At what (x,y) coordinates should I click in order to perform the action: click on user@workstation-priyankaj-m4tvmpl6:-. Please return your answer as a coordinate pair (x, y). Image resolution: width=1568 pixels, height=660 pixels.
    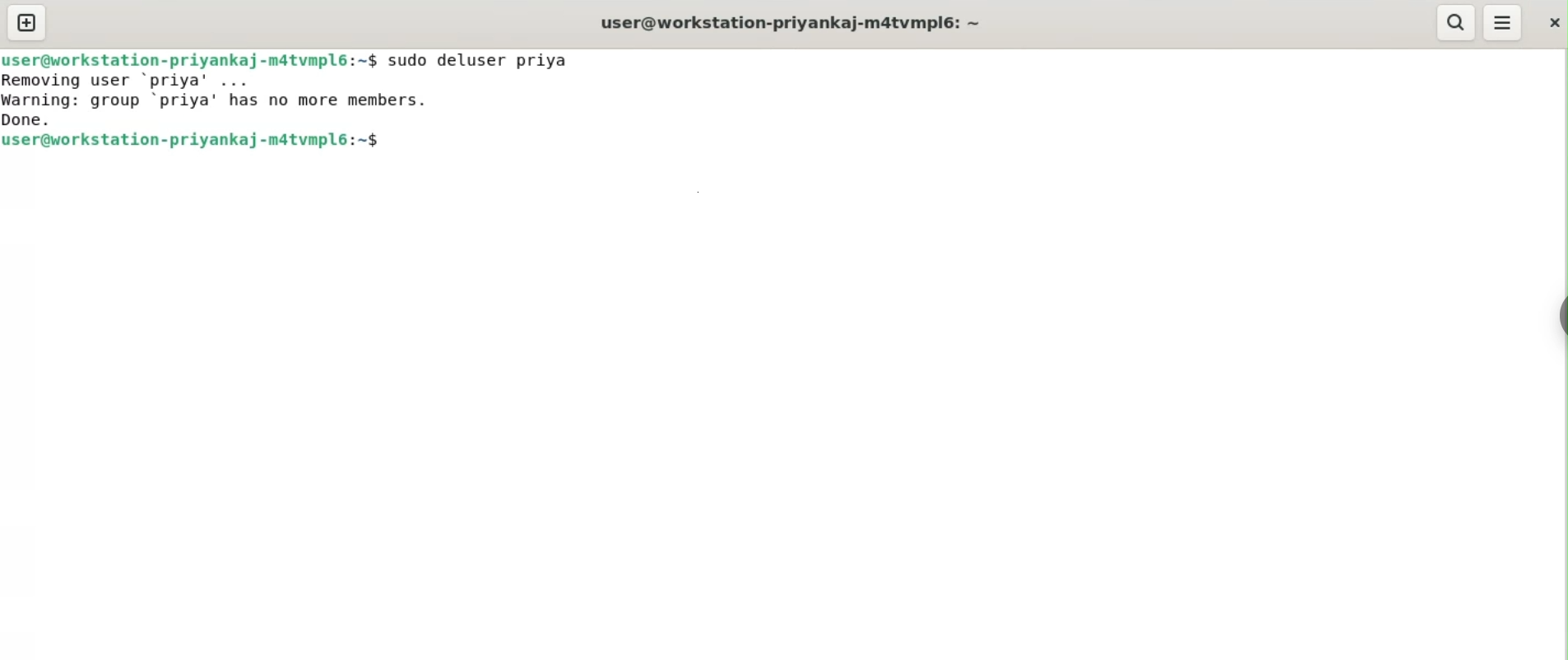
    Looking at the image, I should click on (791, 21).